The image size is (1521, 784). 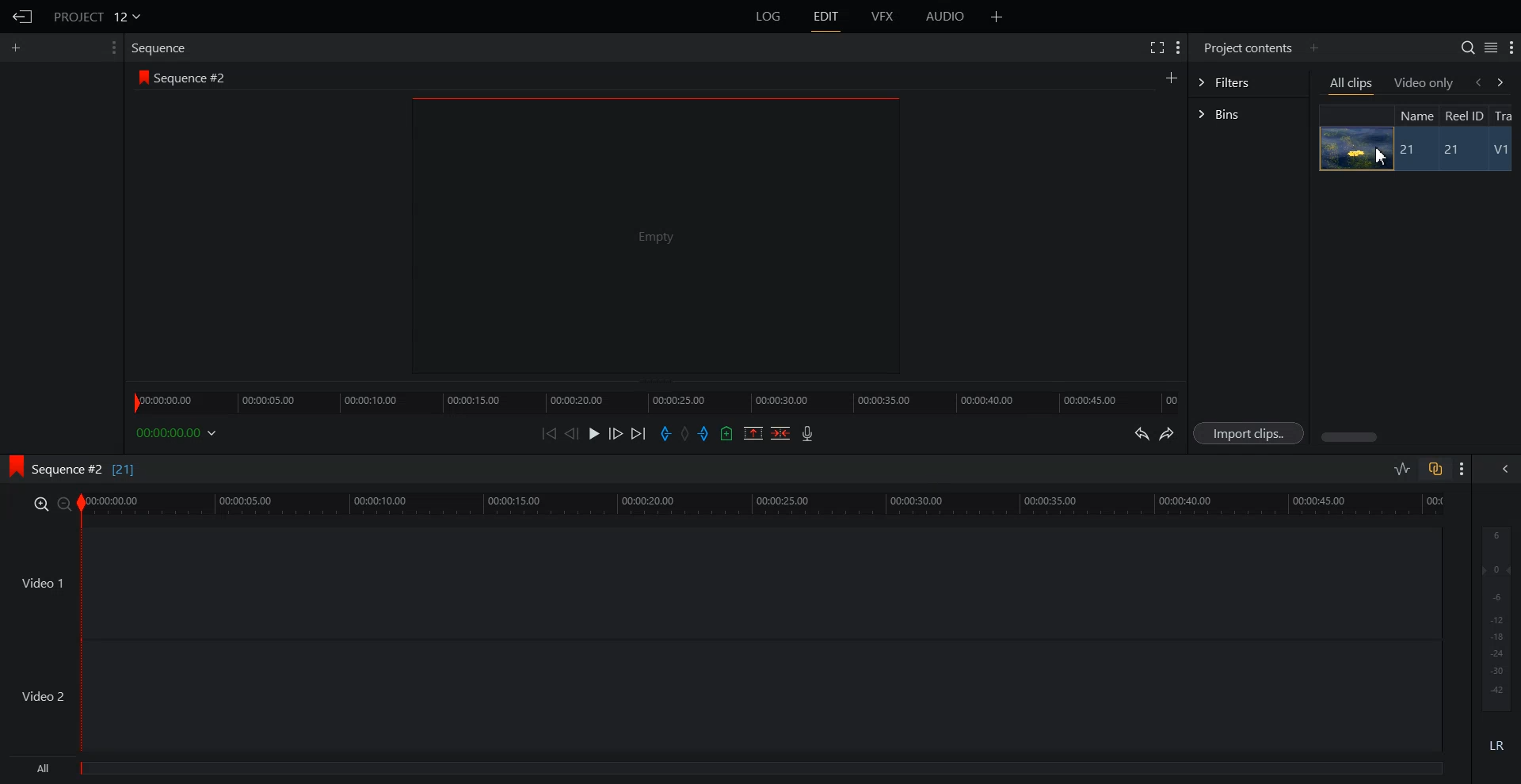 I want to click on Remove Mark Section, so click(x=753, y=433).